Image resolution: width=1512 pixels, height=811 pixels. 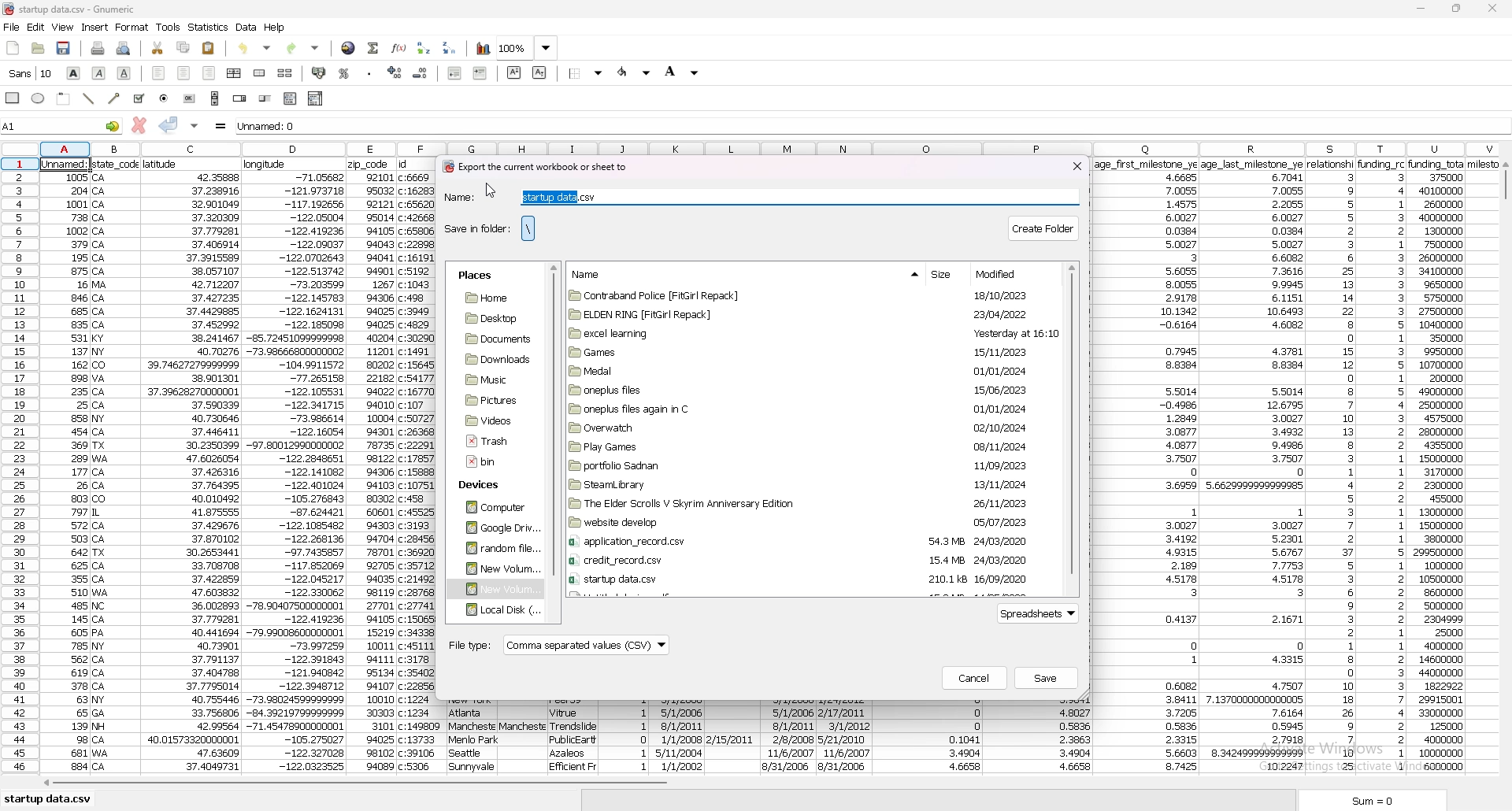 What do you see at coordinates (209, 73) in the screenshot?
I see `right align` at bounding box center [209, 73].